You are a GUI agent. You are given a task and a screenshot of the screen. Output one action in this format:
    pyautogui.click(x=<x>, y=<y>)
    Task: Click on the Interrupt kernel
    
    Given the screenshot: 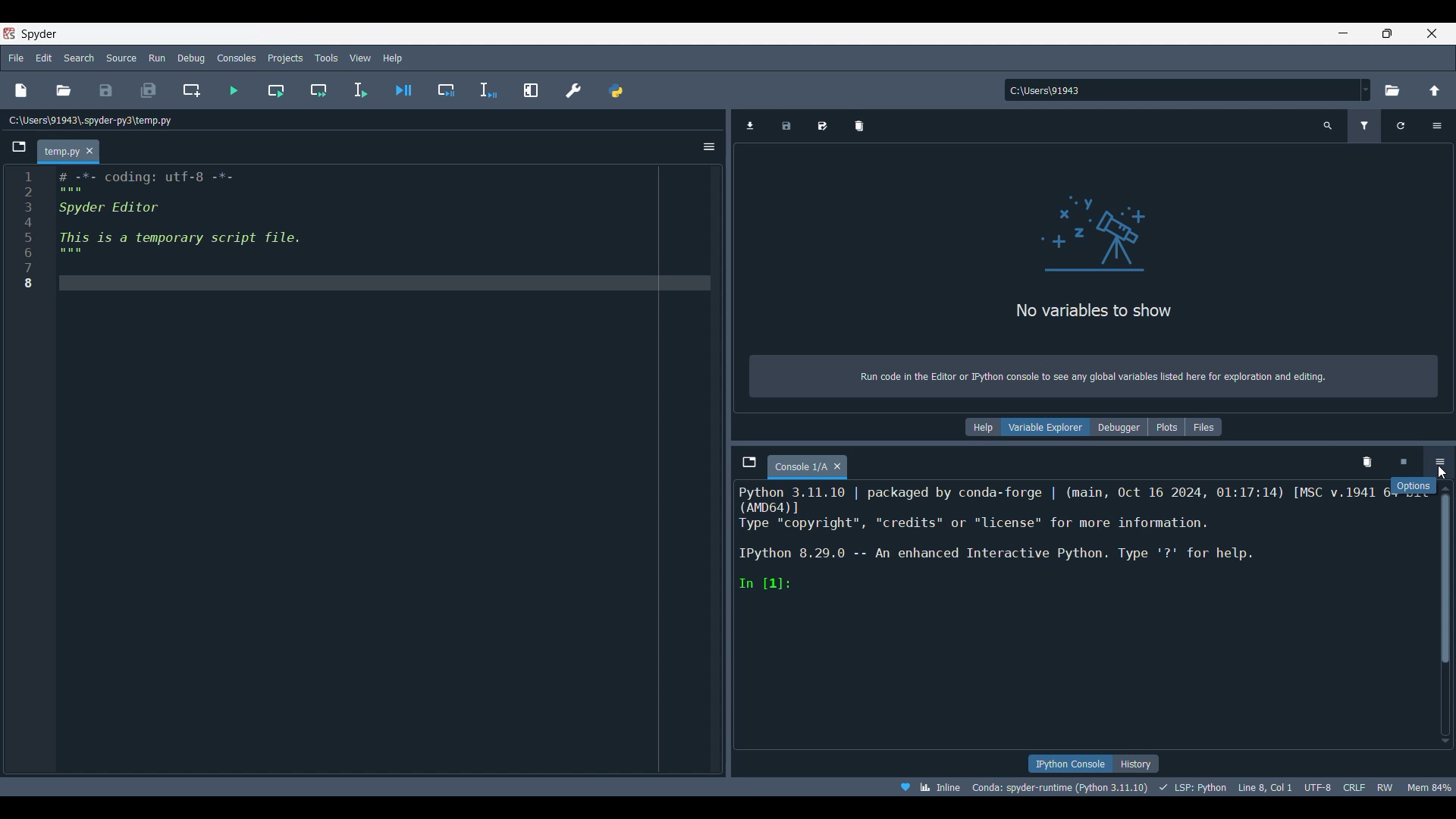 What is the action you would take?
    pyautogui.click(x=1403, y=462)
    